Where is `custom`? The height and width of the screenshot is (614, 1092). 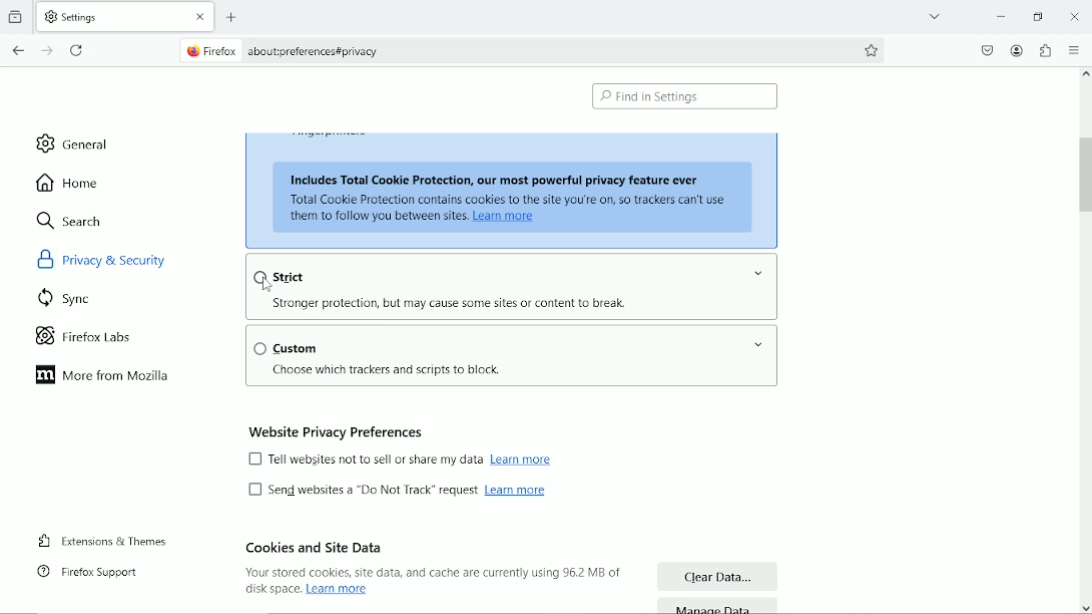 custom is located at coordinates (296, 347).